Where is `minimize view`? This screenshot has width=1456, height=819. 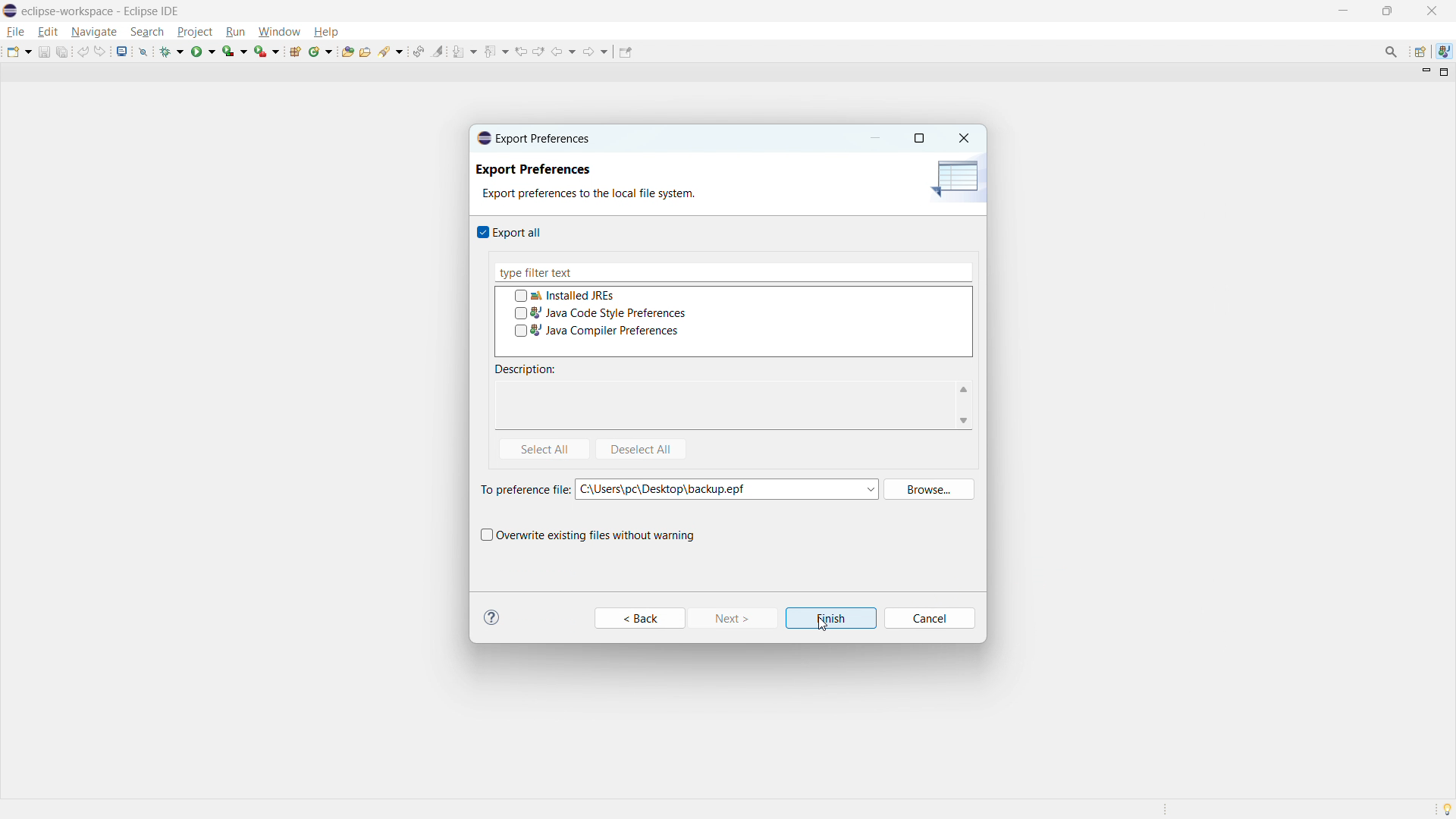 minimize view is located at coordinates (1424, 73).